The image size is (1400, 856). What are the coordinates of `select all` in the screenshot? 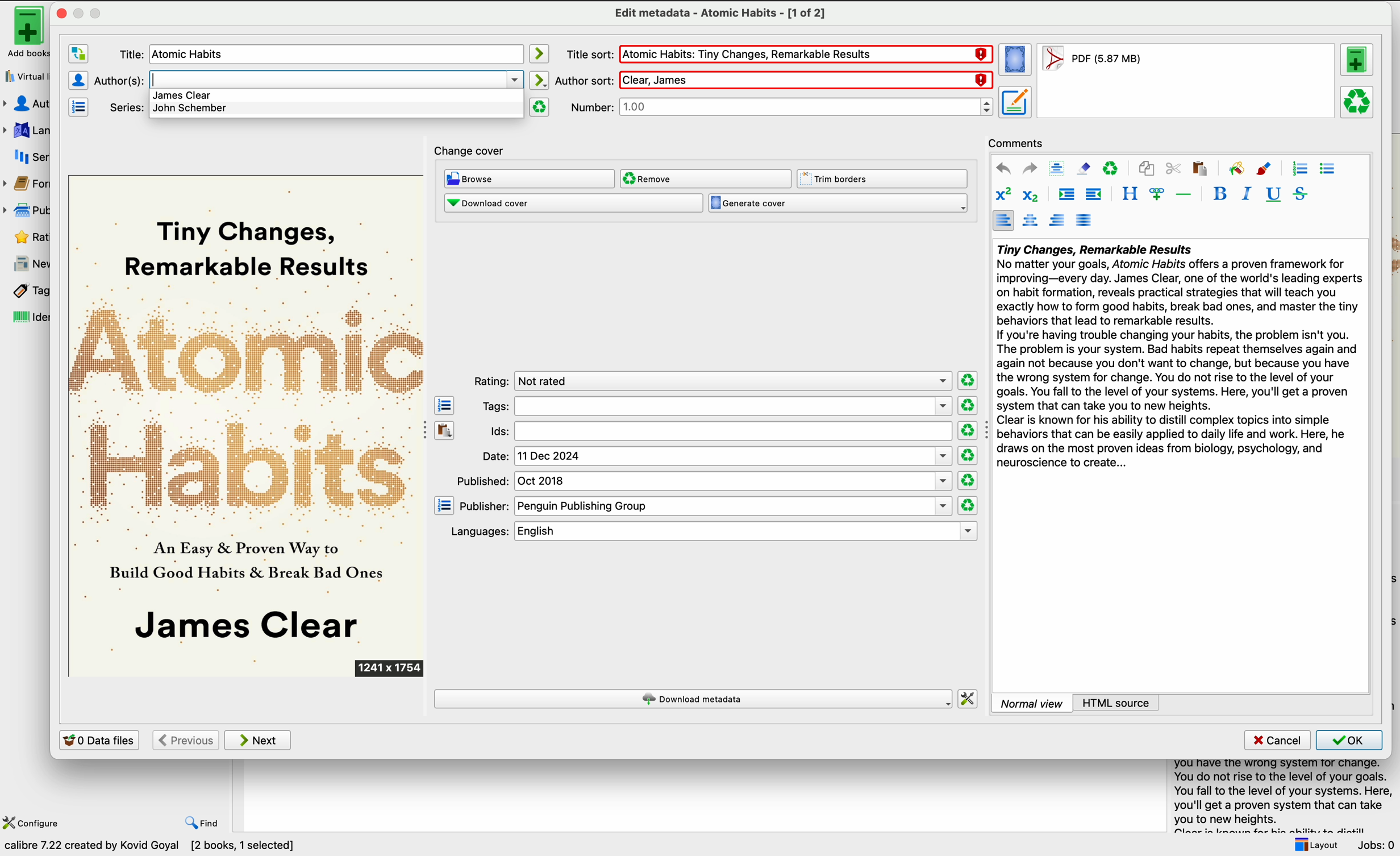 It's located at (1057, 168).